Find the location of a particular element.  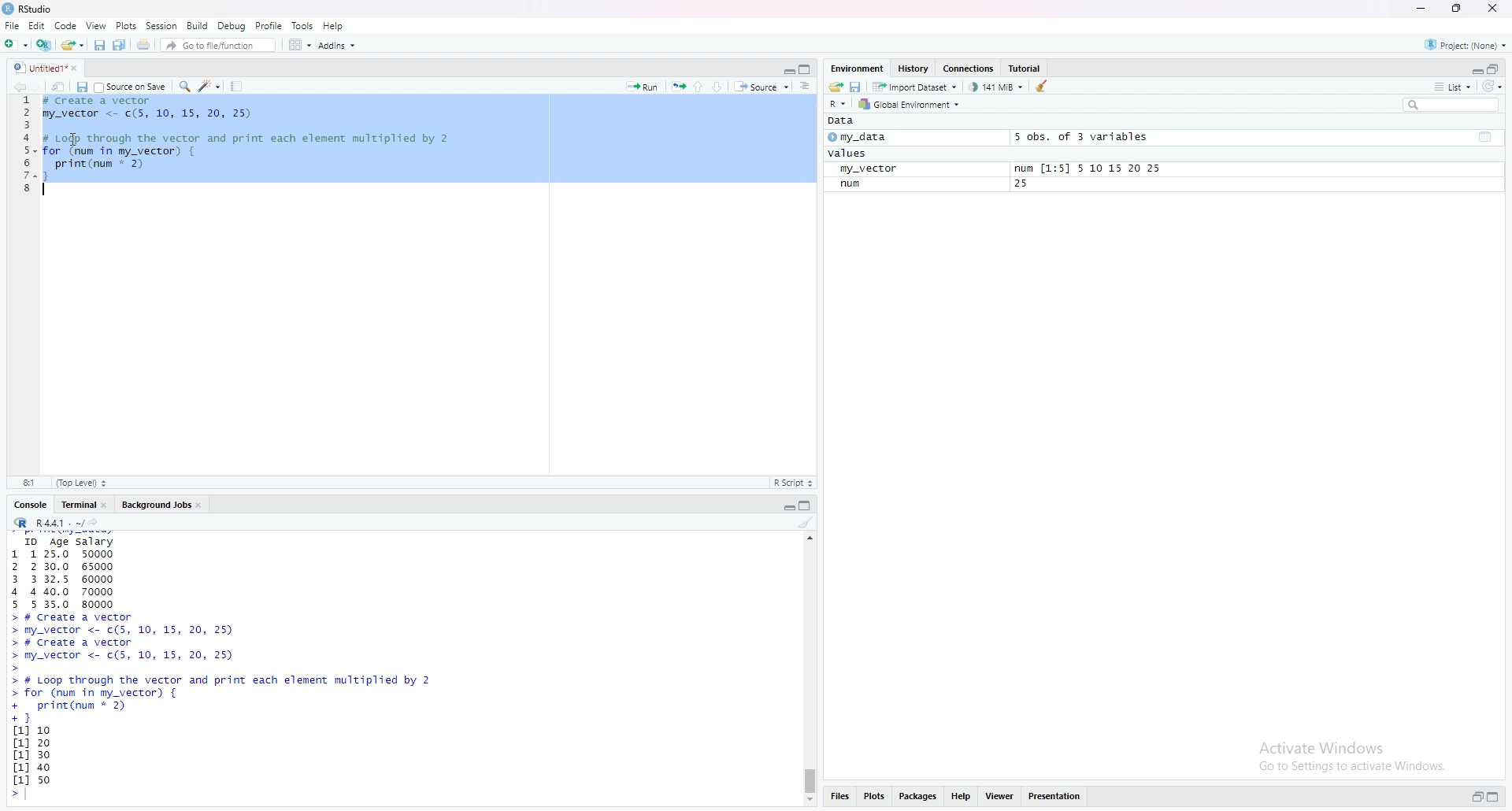

expand is located at coordinates (787, 71).